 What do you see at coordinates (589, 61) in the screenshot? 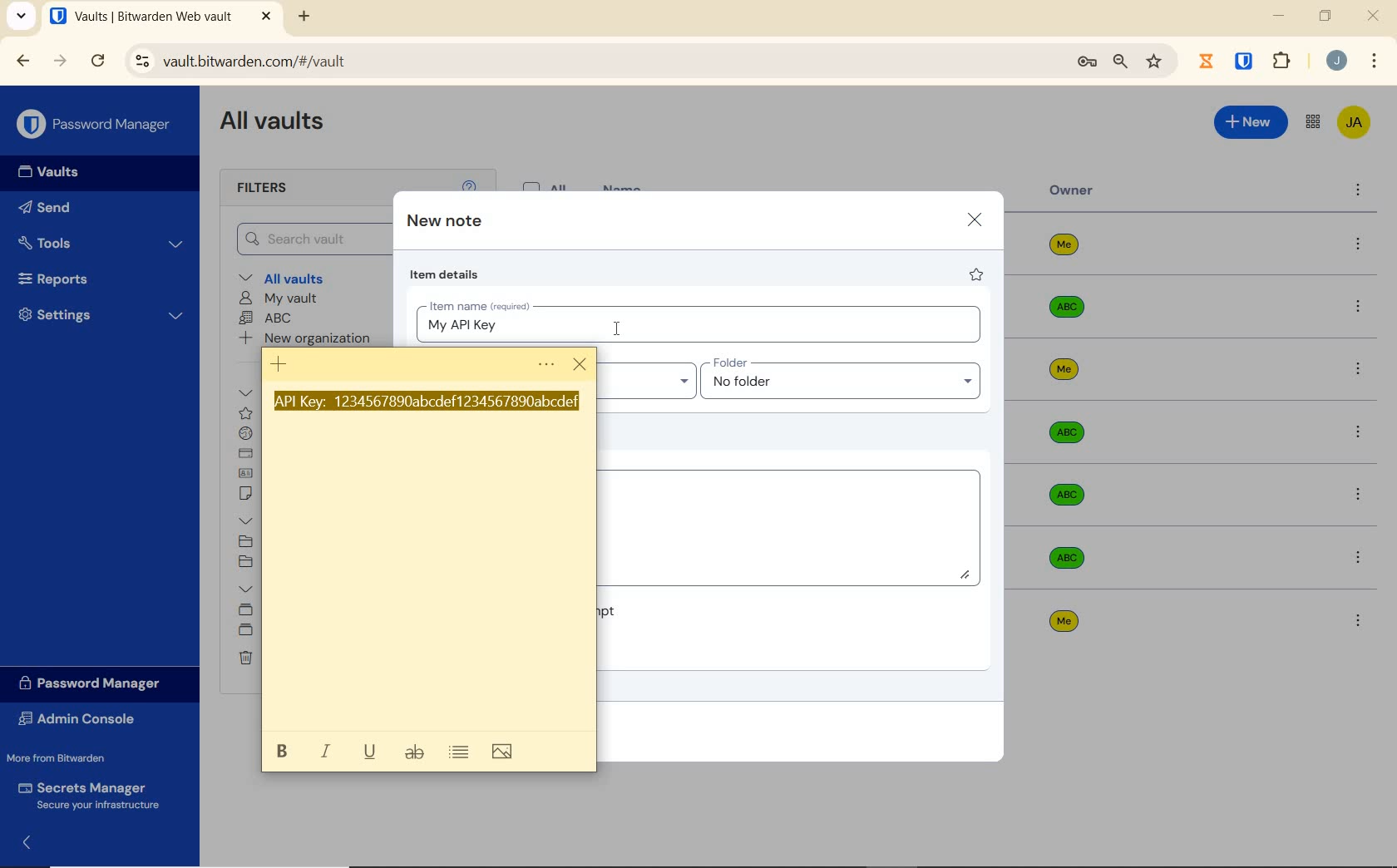
I see `address bar` at bounding box center [589, 61].